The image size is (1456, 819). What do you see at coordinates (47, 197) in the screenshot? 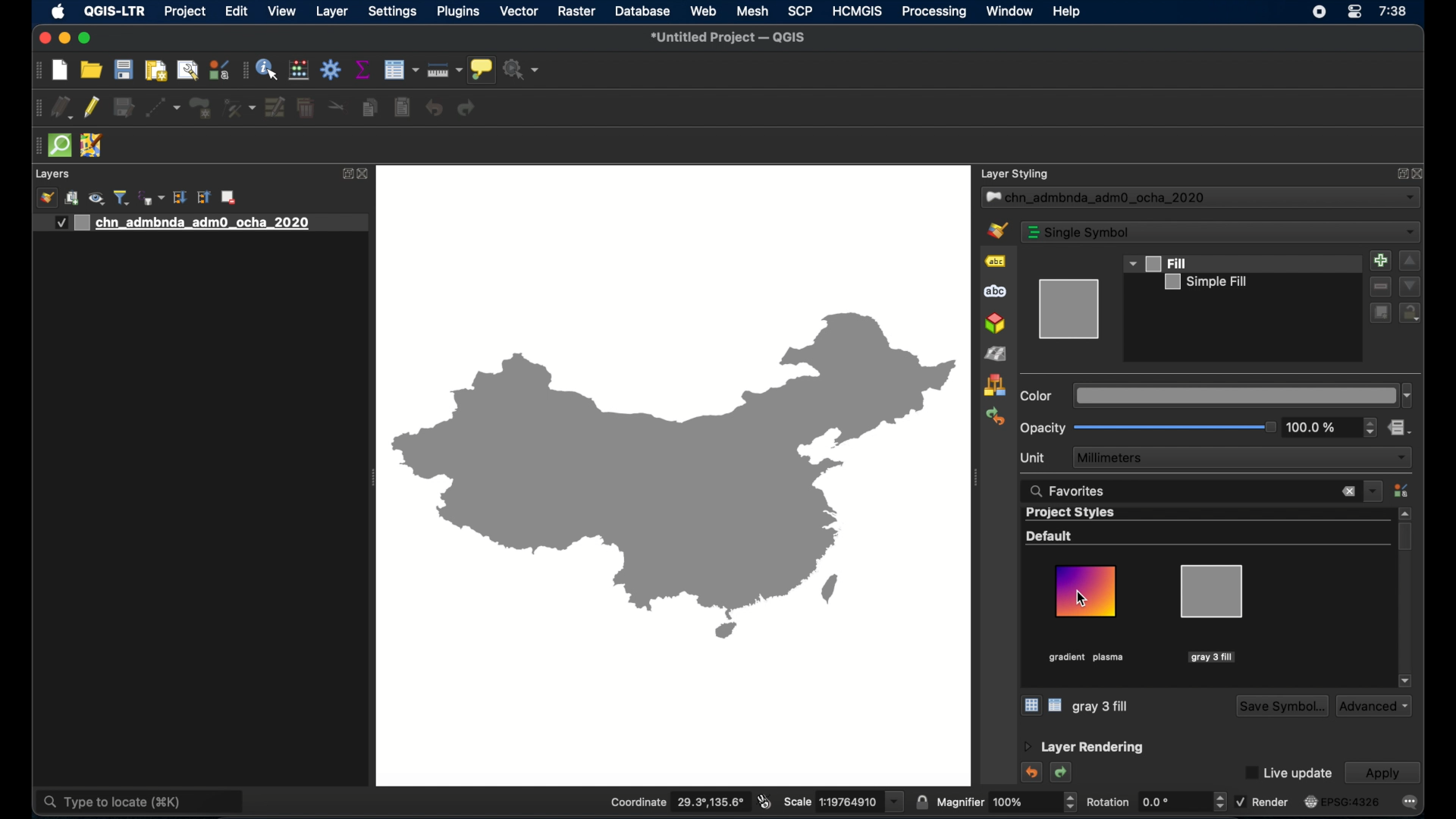
I see `open layer styling panel` at bounding box center [47, 197].